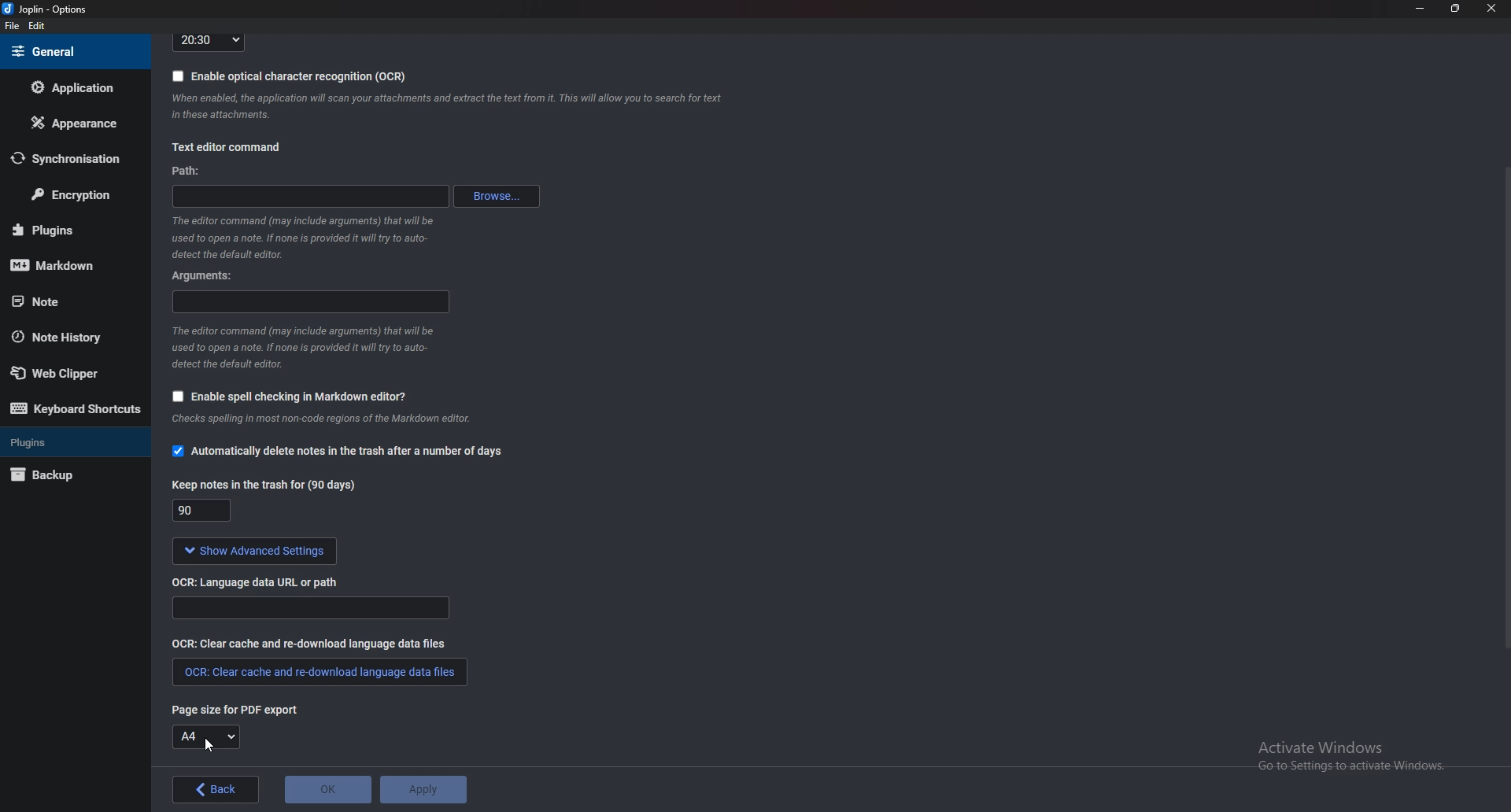 This screenshot has width=1511, height=812. I want to click on Encryption, so click(72, 196).